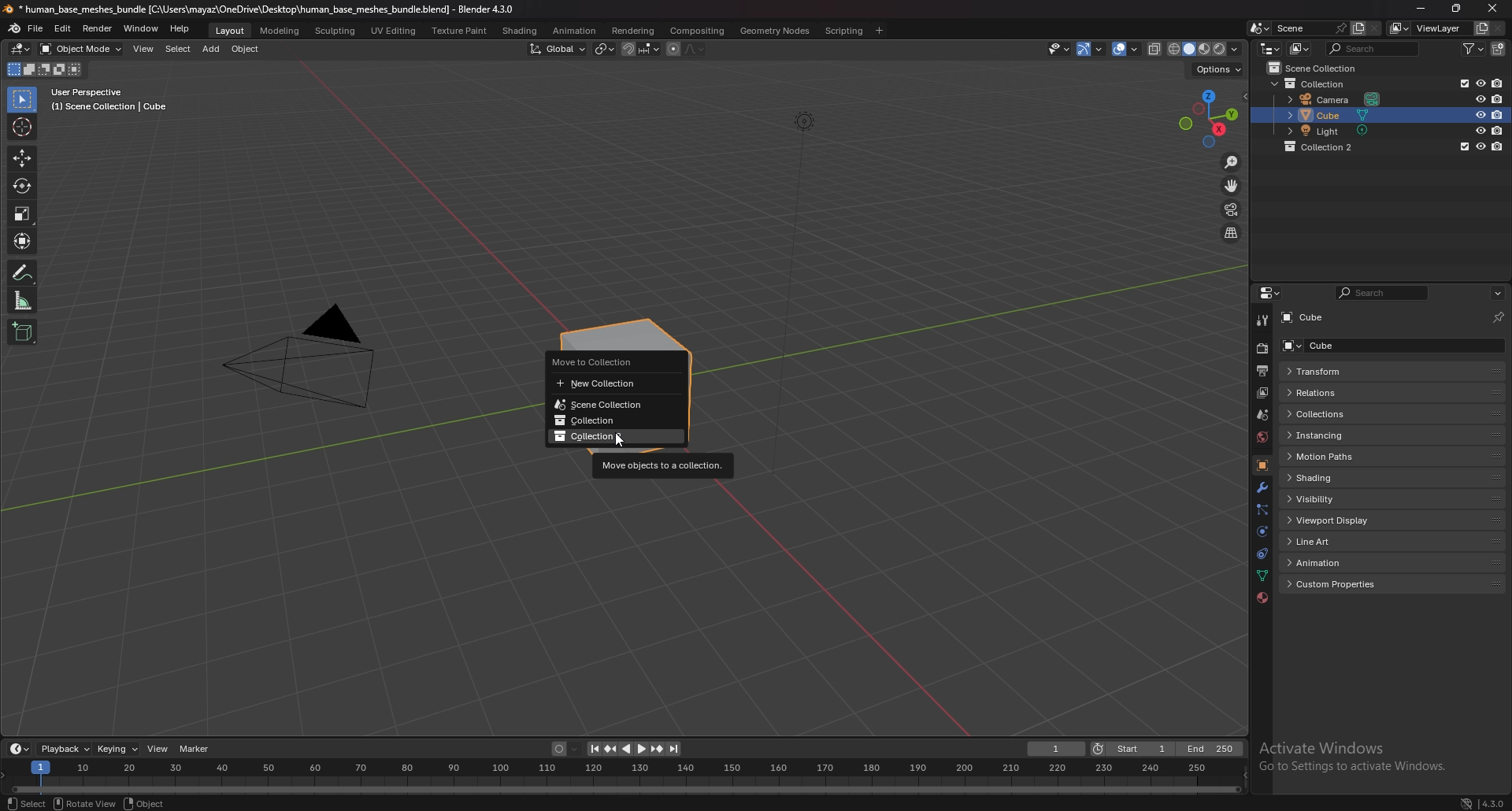 The width and height of the screenshot is (1512, 811). Describe the element at coordinates (1499, 317) in the screenshot. I see `toggle pin id` at that location.